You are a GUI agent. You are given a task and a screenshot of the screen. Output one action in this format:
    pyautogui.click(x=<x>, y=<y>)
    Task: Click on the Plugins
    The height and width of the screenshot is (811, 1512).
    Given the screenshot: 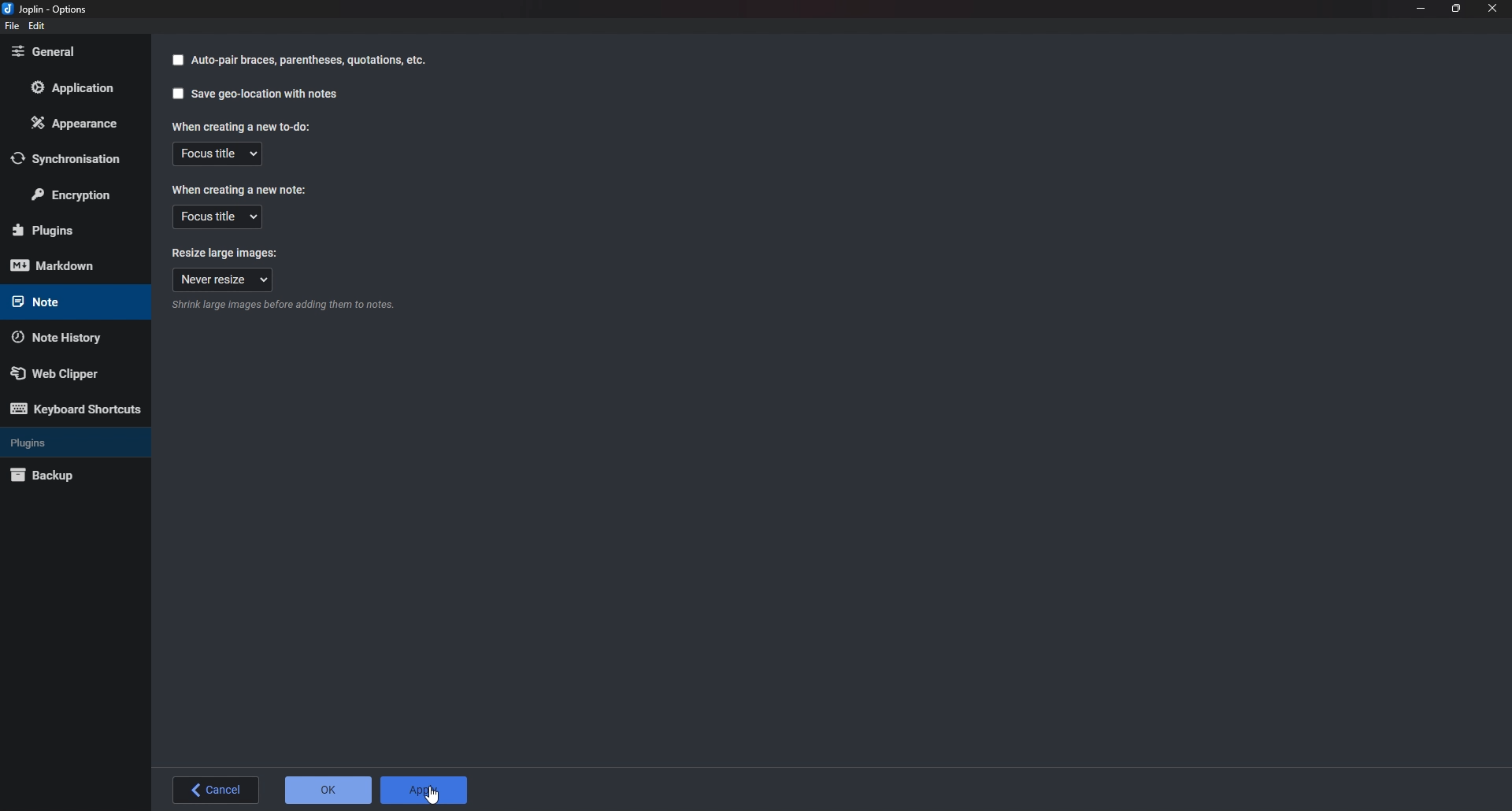 What is the action you would take?
    pyautogui.click(x=72, y=441)
    